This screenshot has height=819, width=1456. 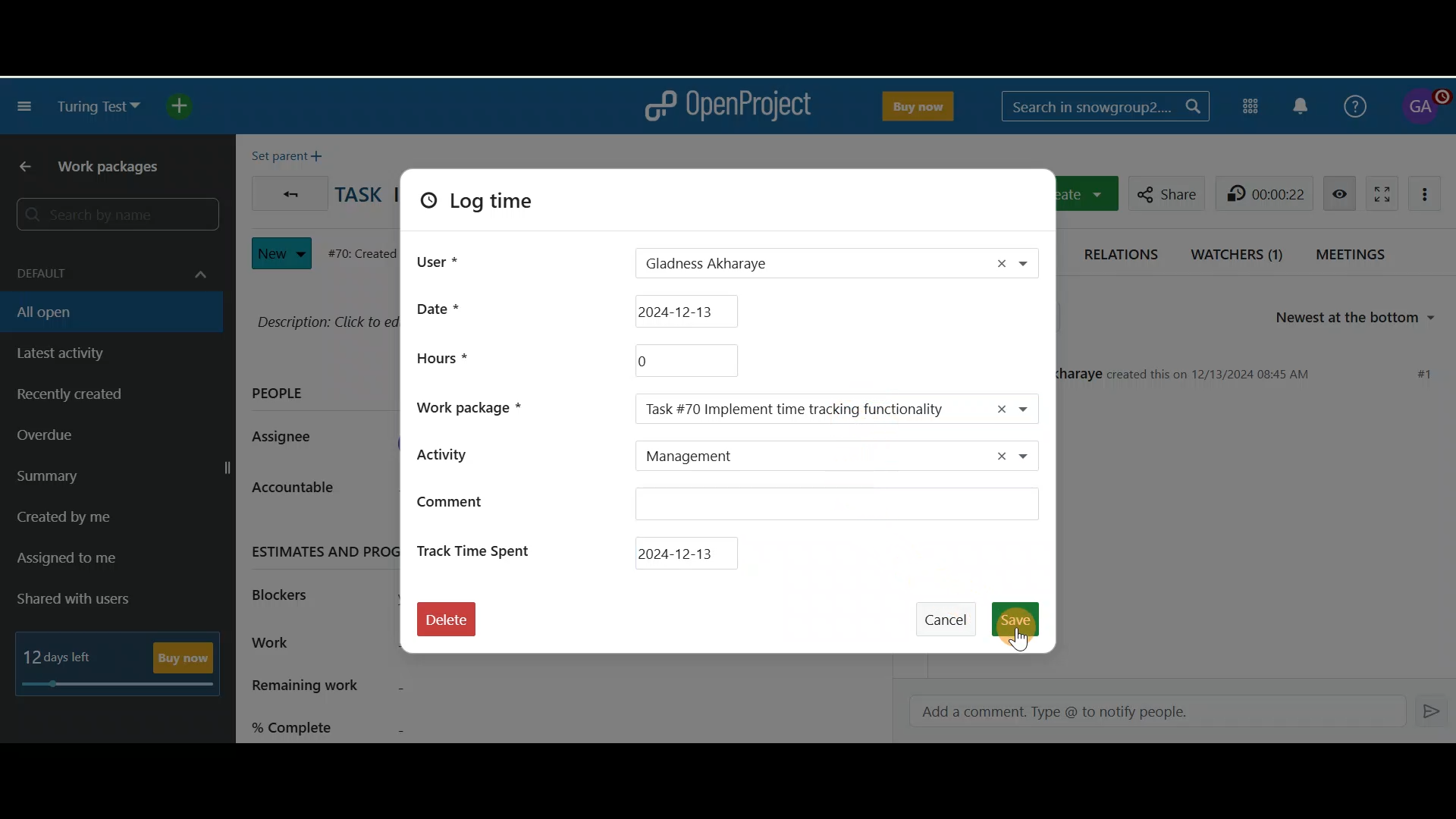 I want to click on OpenProject, so click(x=727, y=106).